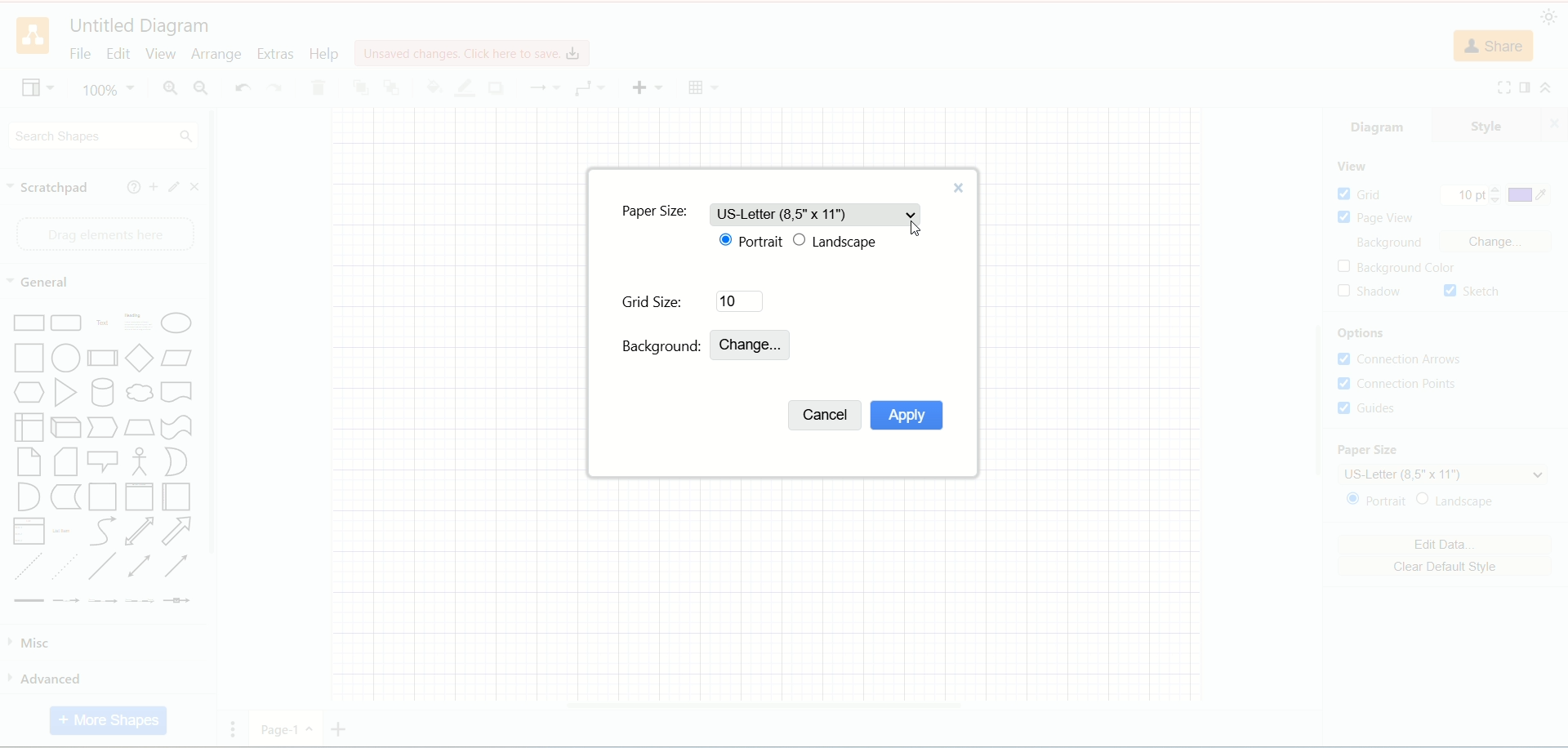 The image size is (1568, 748). What do you see at coordinates (139, 462) in the screenshot?
I see `Stick Figure` at bounding box center [139, 462].